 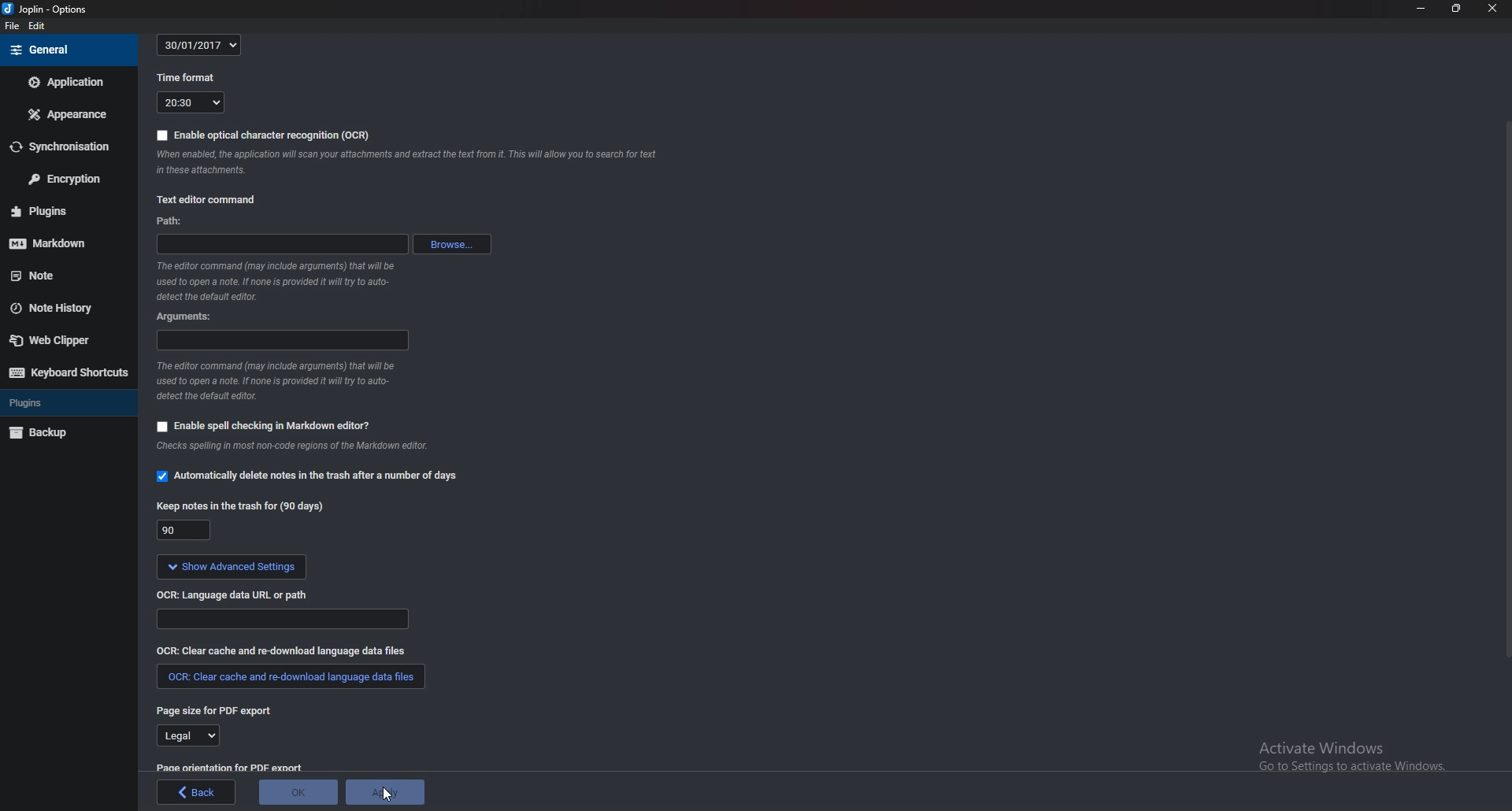 I want to click on File, so click(x=13, y=26).